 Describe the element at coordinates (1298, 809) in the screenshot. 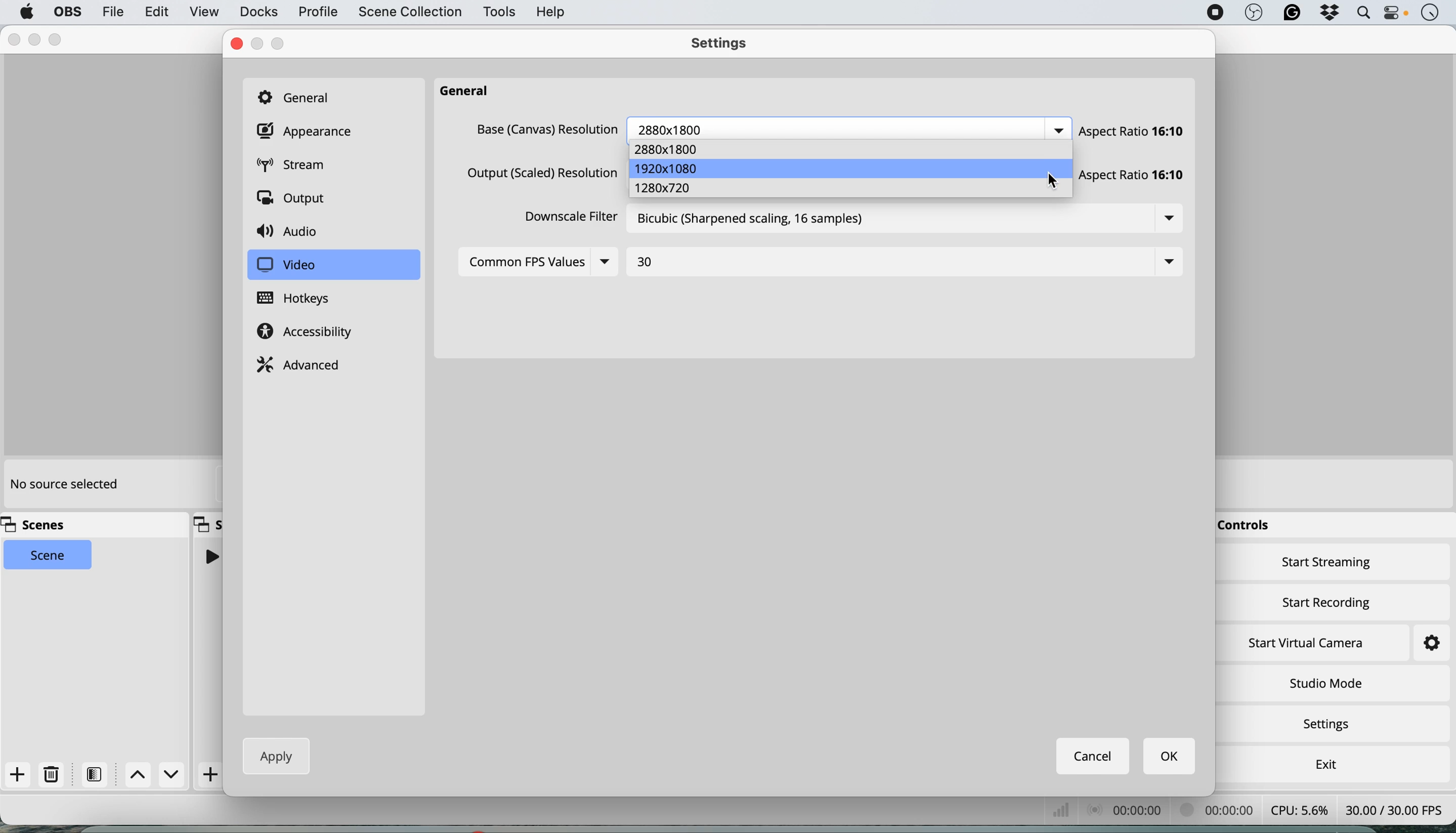

I see `cpu usage` at that location.